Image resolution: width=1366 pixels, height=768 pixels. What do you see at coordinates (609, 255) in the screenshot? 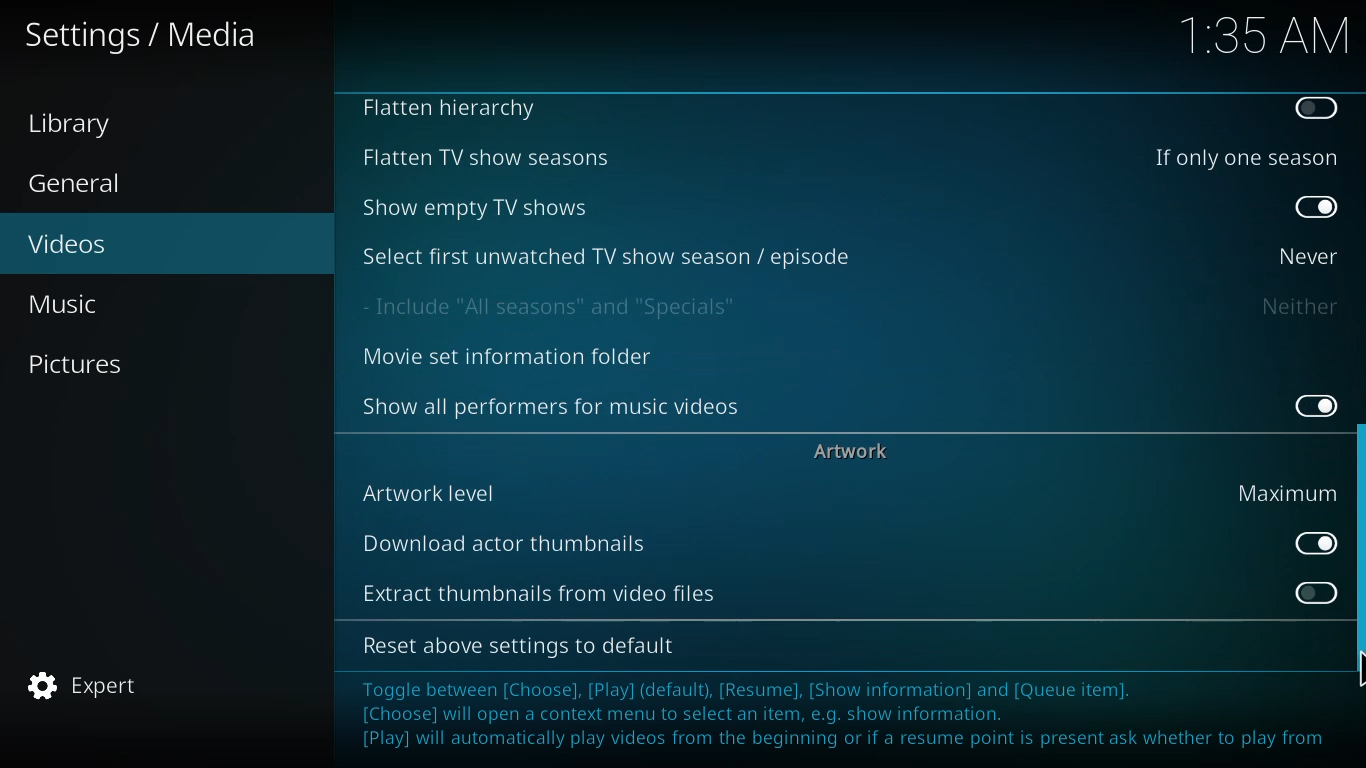
I see `select first unwanted TV show` at bounding box center [609, 255].